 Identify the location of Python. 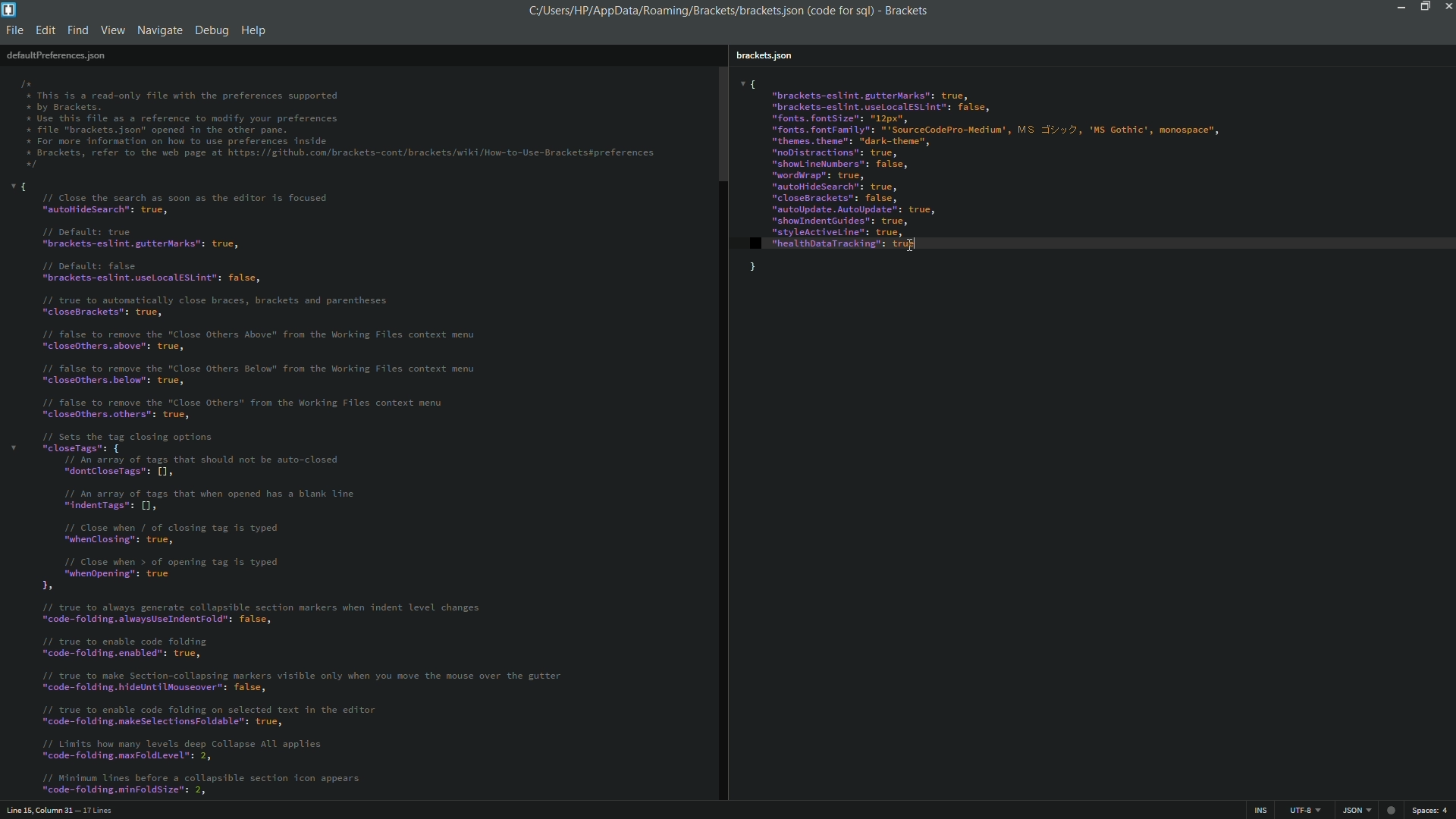
(1354, 811).